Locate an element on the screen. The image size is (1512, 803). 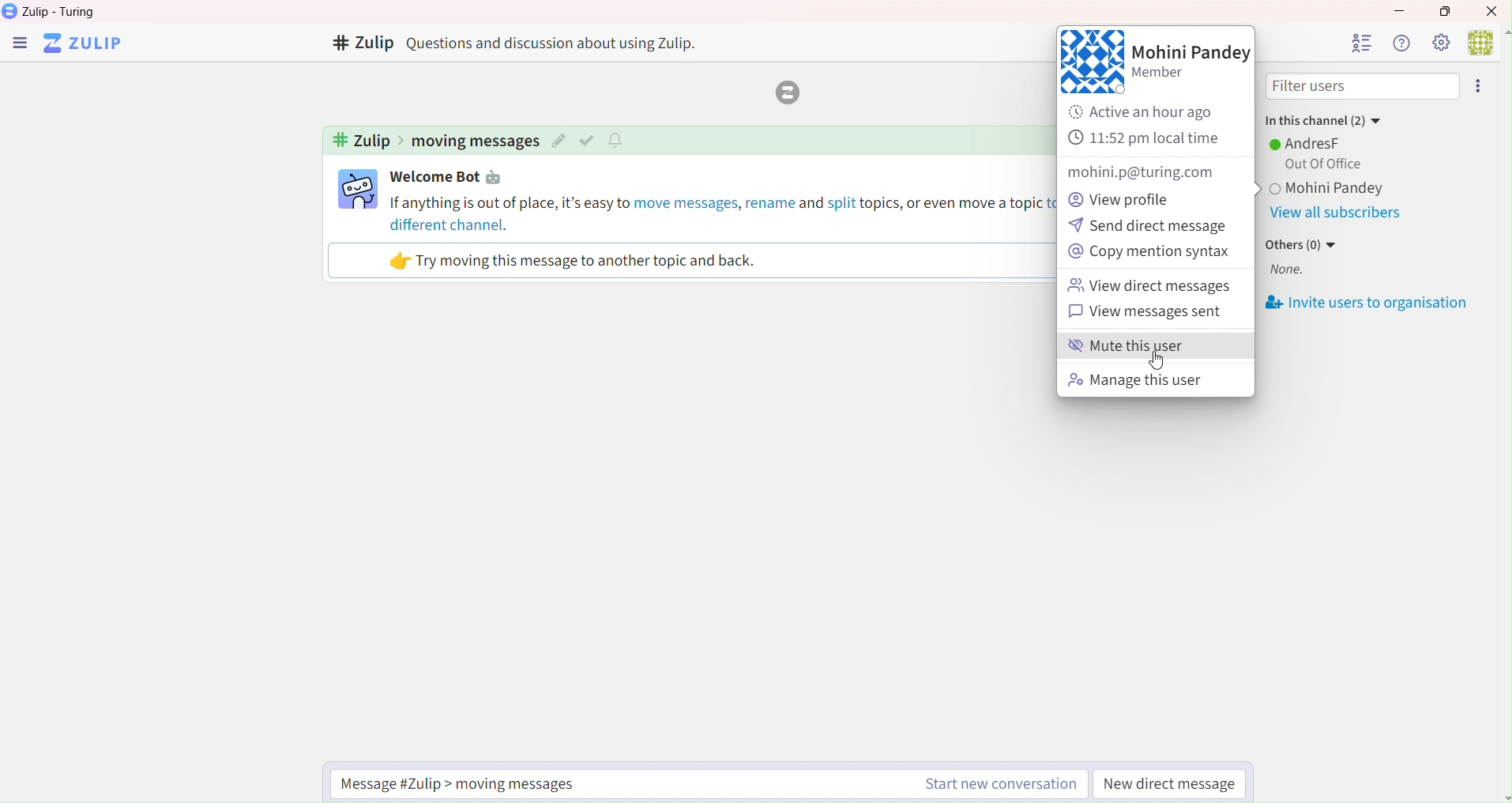
11:52 pm local time is located at coordinates (1148, 139).